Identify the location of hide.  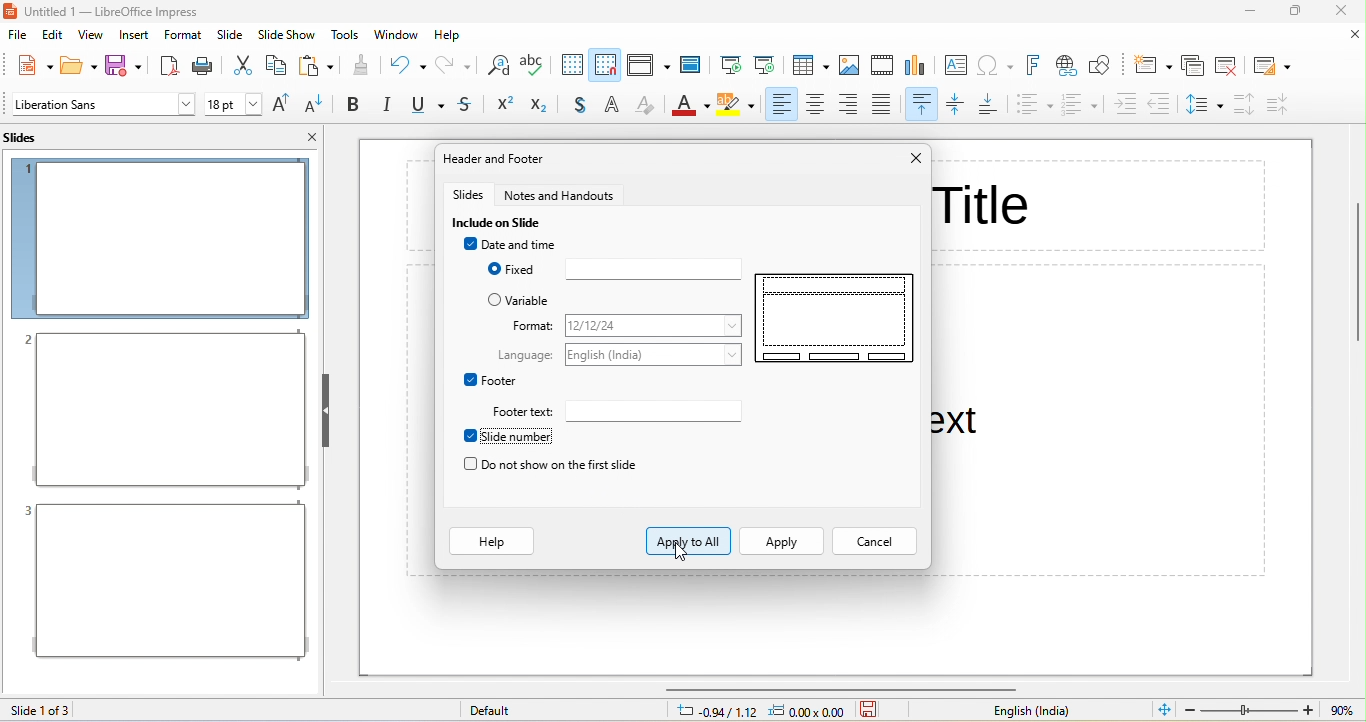
(324, 410).